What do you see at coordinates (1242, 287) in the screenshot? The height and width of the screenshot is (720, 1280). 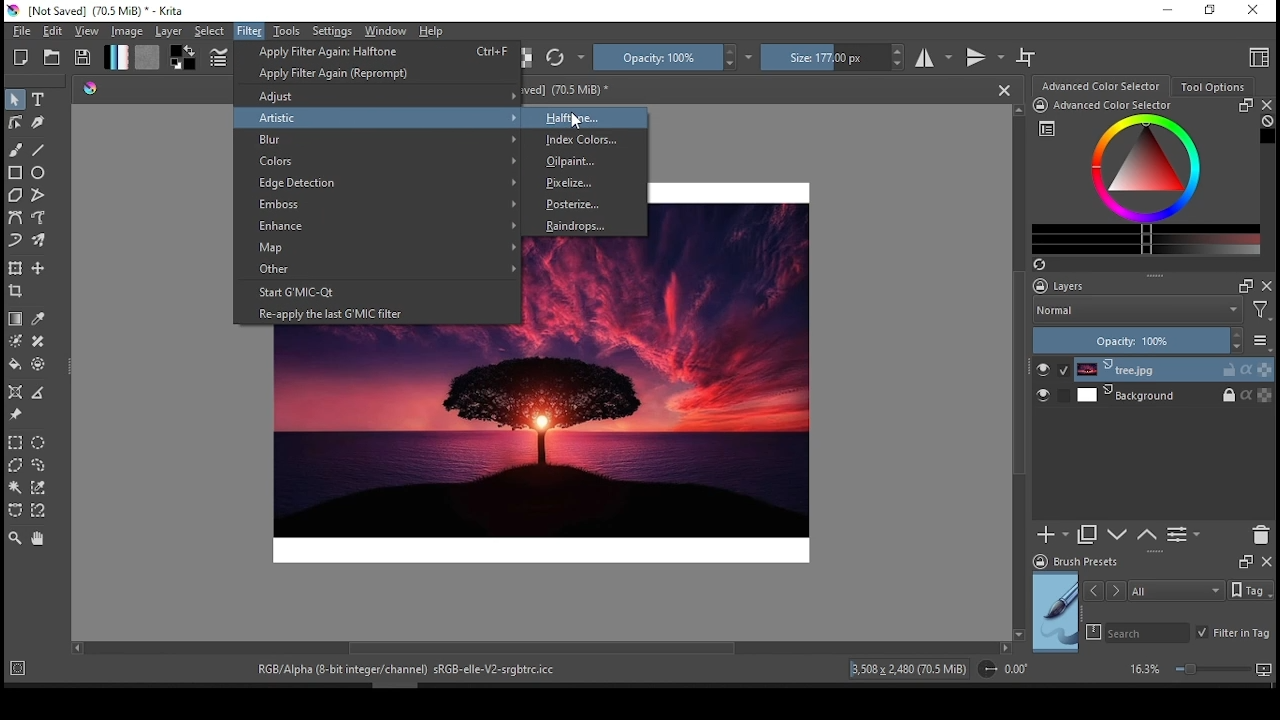 I see `Frame` at bounding box center [1242, 287].